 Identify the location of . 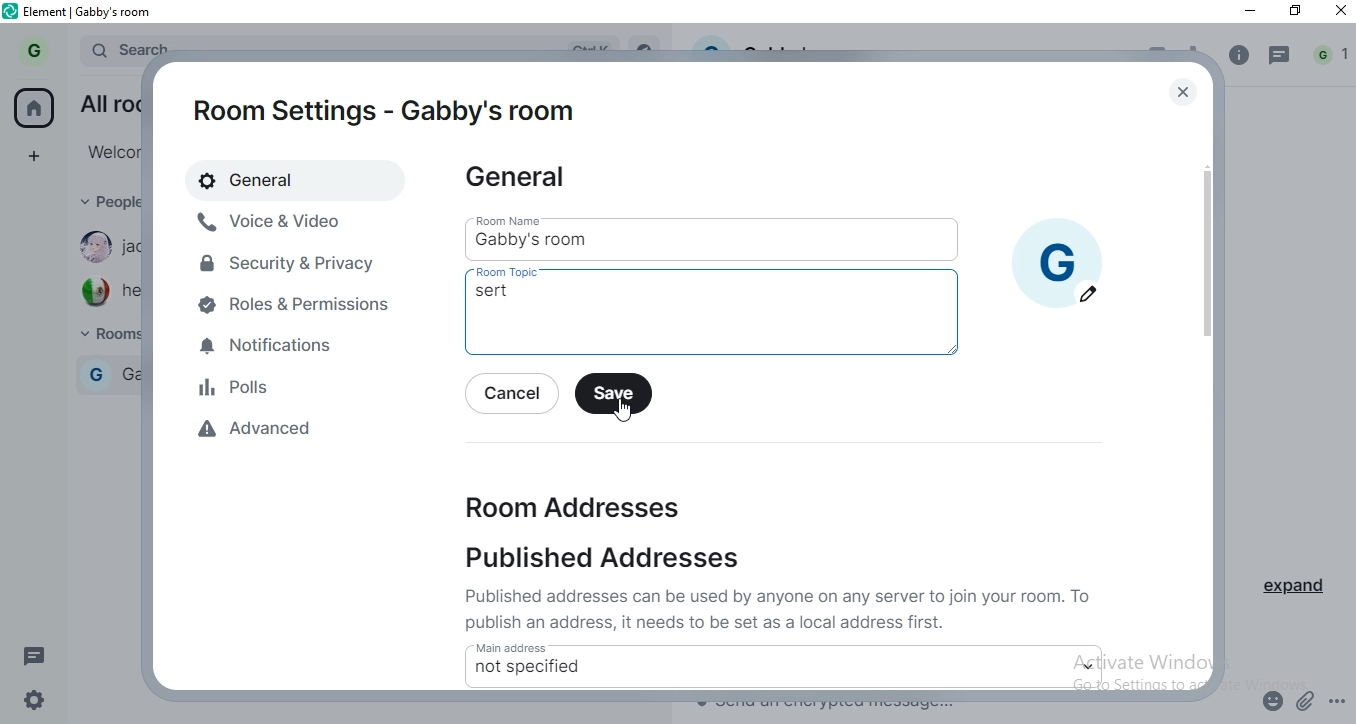
(1340, 697).